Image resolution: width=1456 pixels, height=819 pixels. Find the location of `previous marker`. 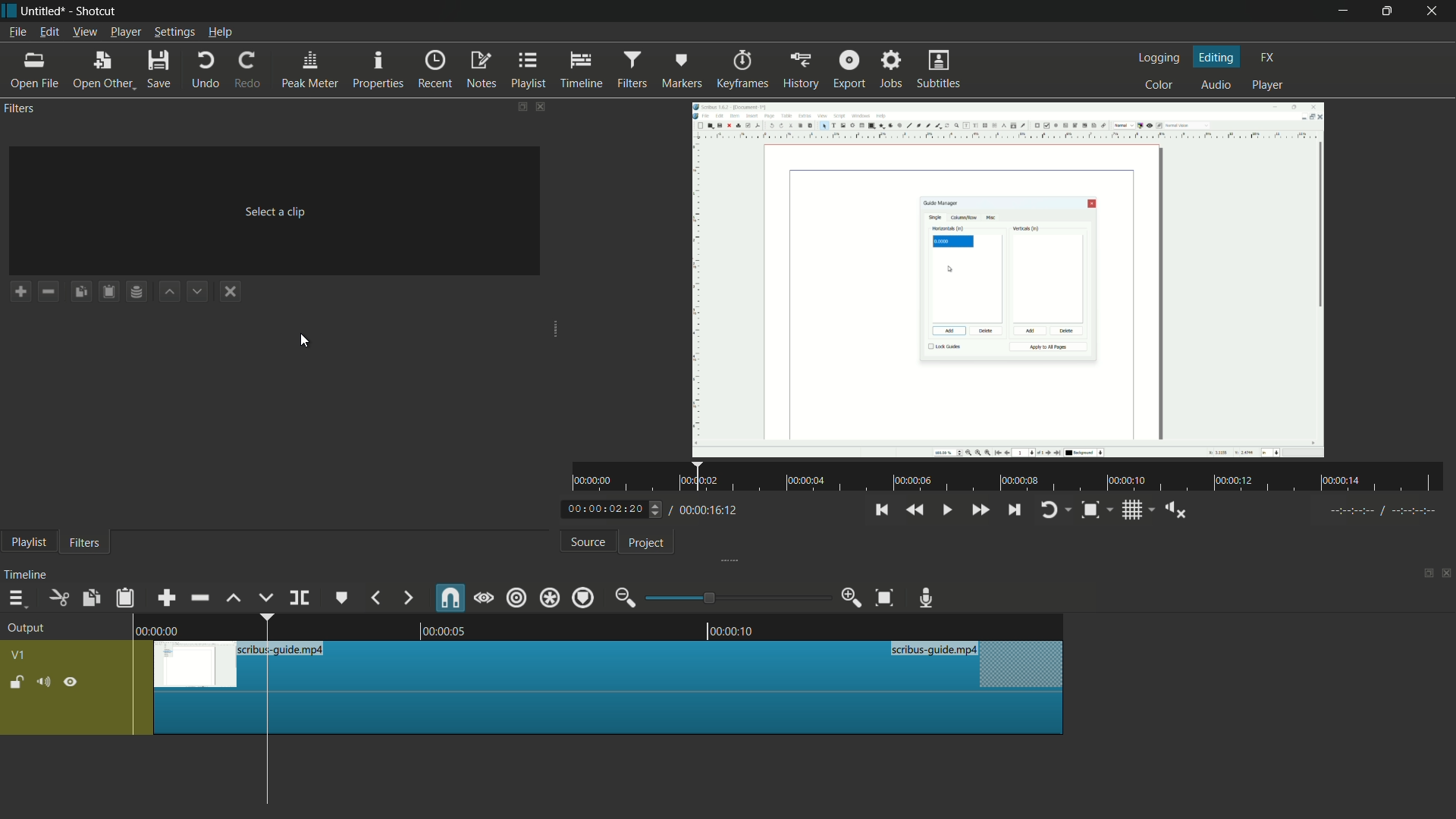

previous marker is located at coordinates (376, 597).